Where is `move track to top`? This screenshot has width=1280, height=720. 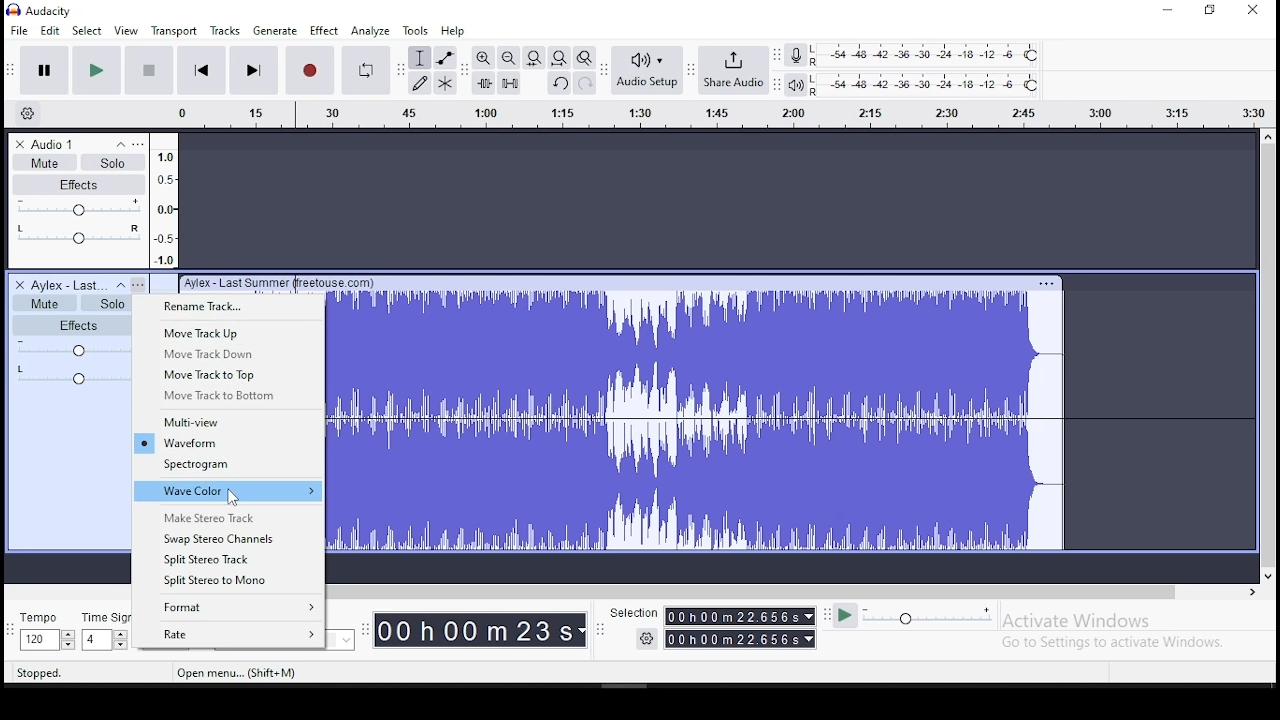
move track to top is located at coordinates (228, 374).